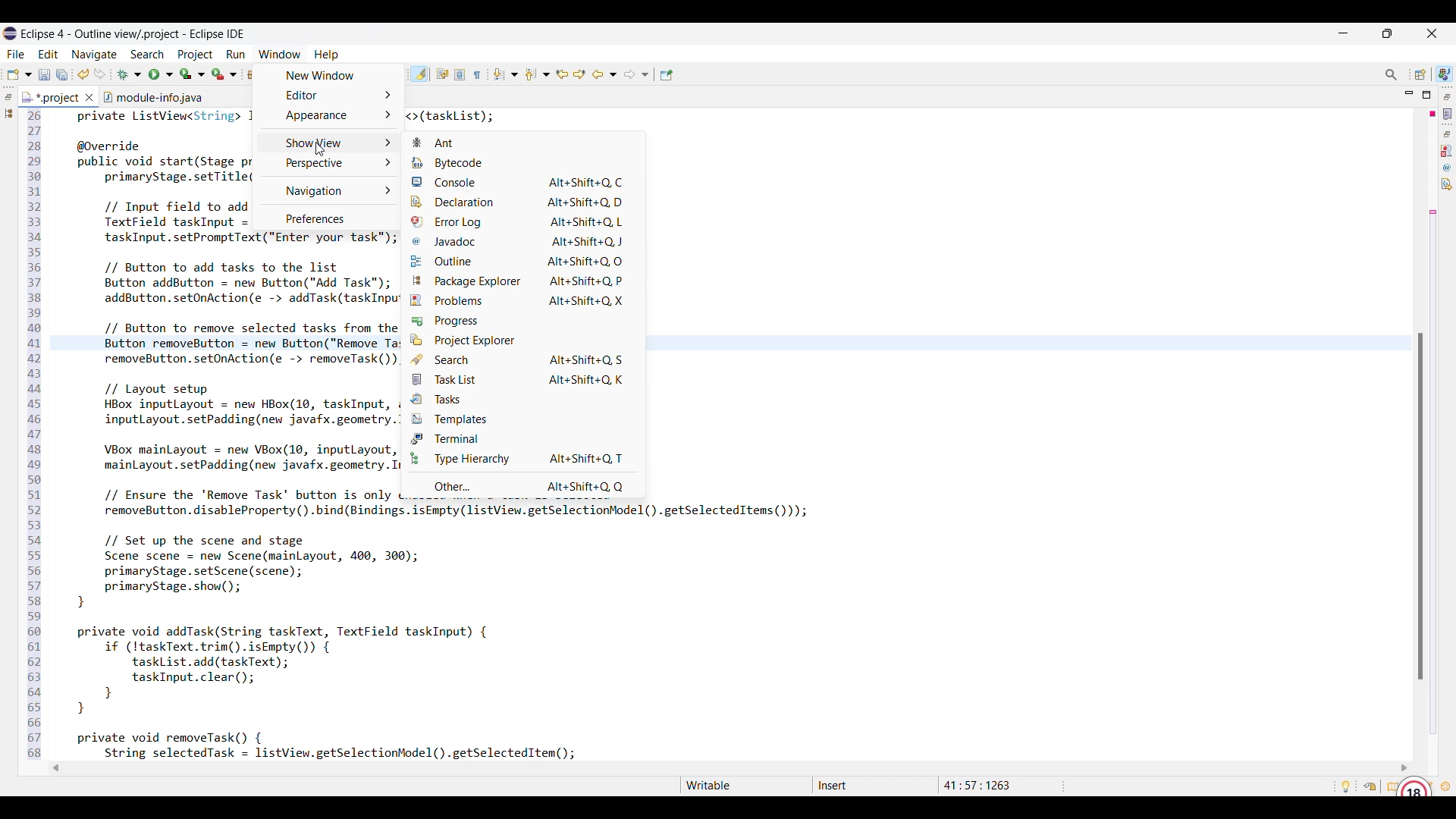 This screenshot has width=1456, height=819. What do you see at coordinates (15, 55) in the screenshot?
I see `File menu` at bounding box center [15, 55].